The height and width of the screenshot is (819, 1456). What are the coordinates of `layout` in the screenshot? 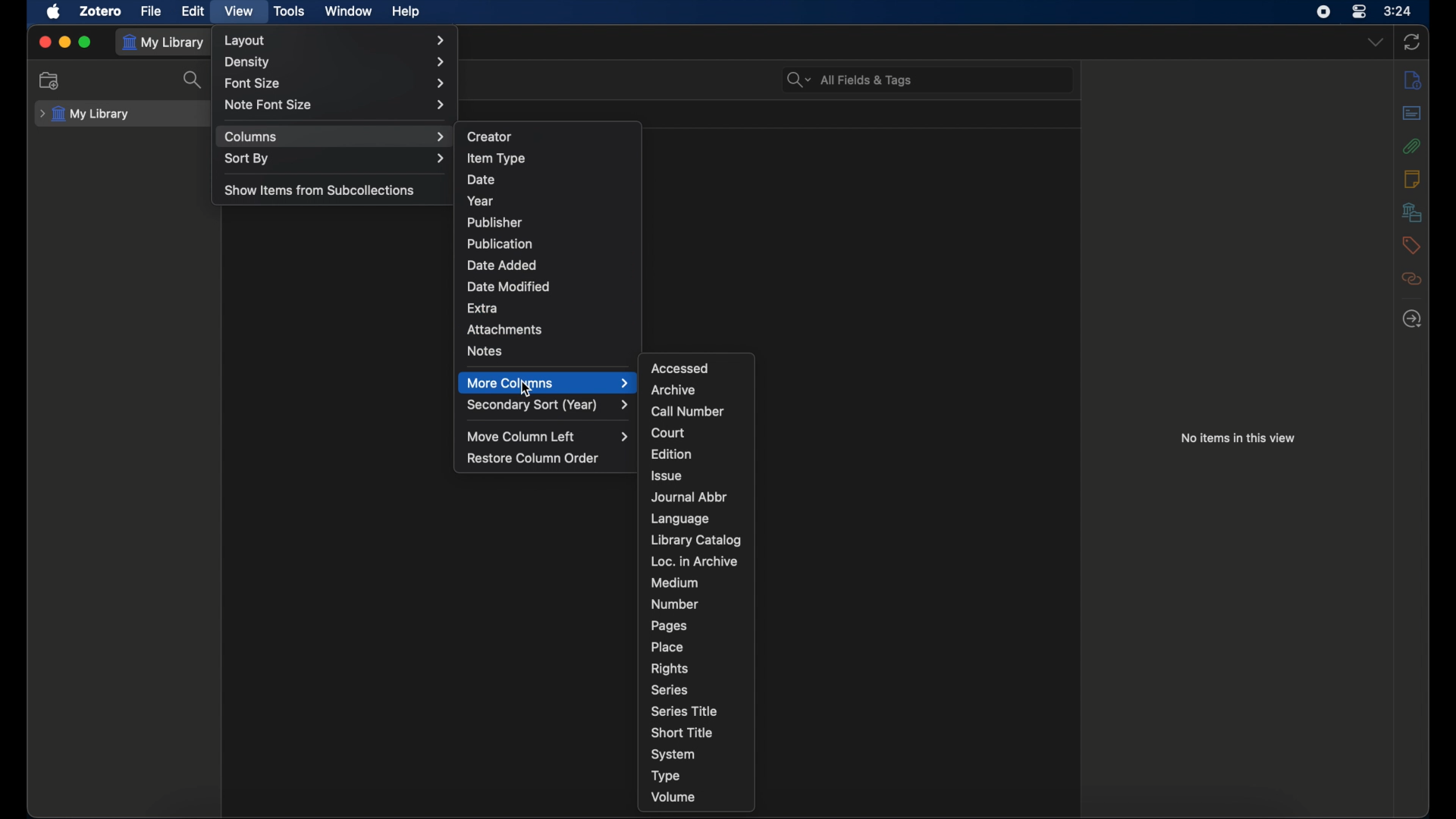 It's located at (338, 41).